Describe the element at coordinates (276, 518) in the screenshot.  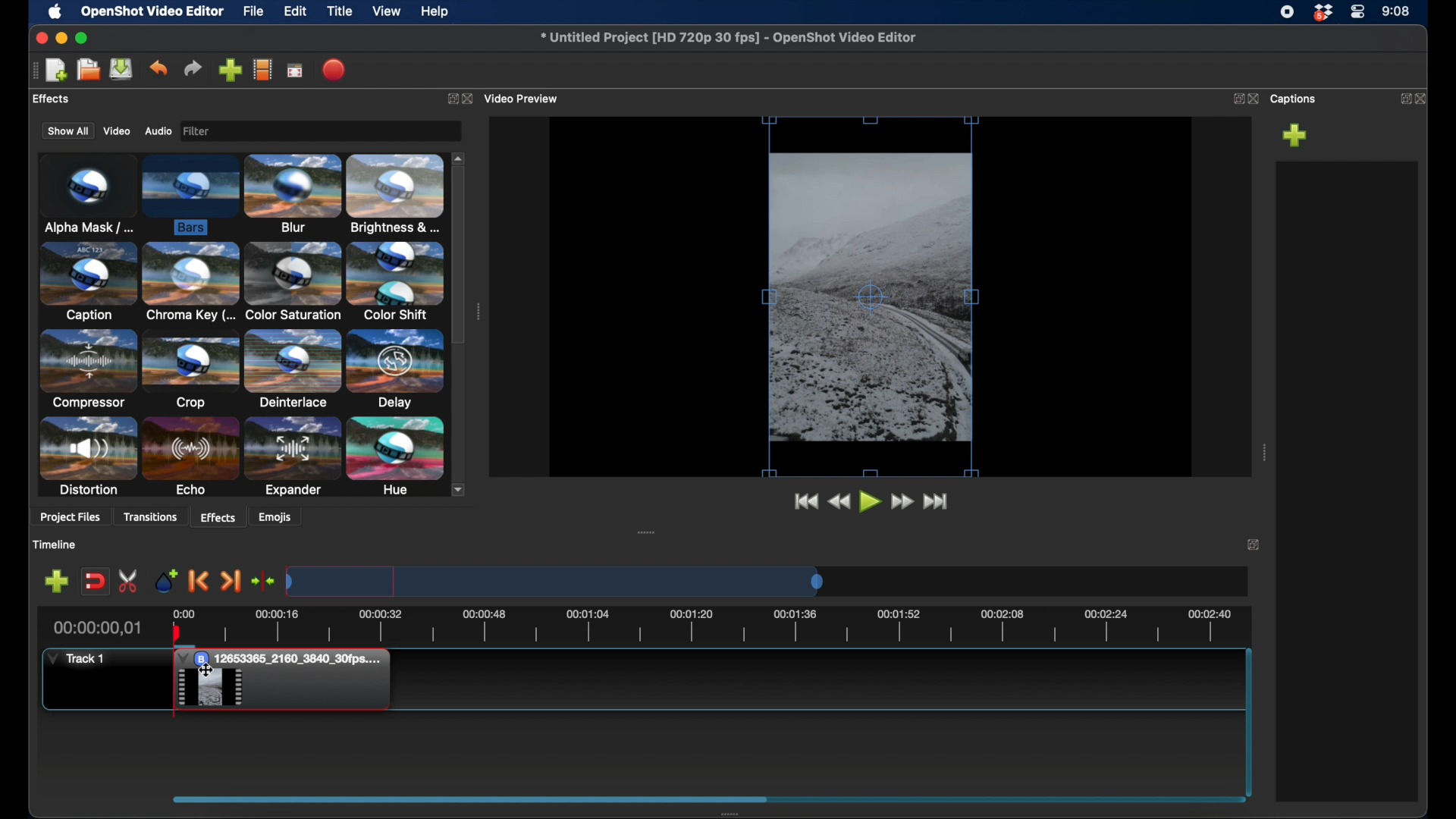
I see `emojis` at that location.